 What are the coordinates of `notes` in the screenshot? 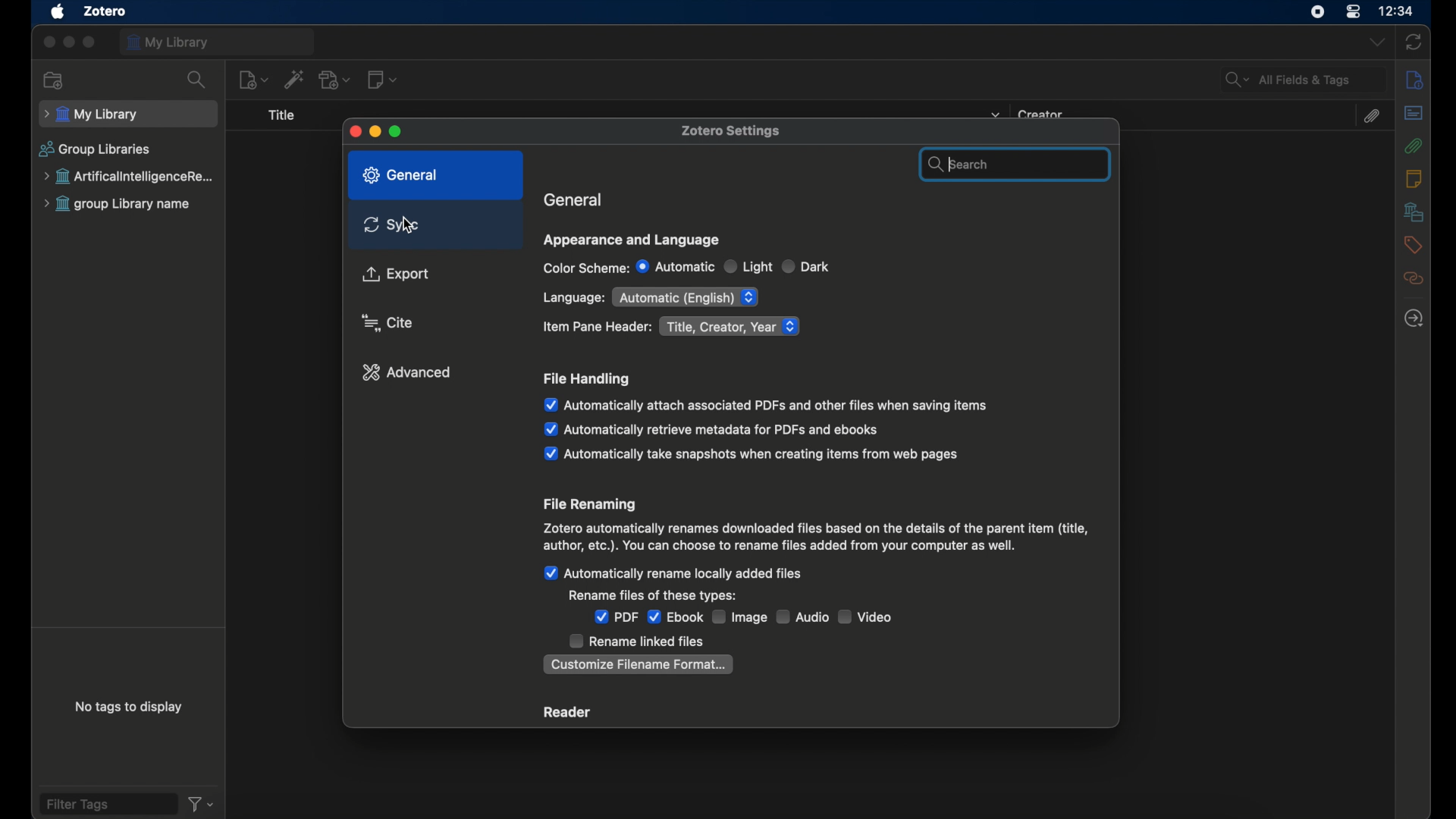 It's located at (1415, 179).